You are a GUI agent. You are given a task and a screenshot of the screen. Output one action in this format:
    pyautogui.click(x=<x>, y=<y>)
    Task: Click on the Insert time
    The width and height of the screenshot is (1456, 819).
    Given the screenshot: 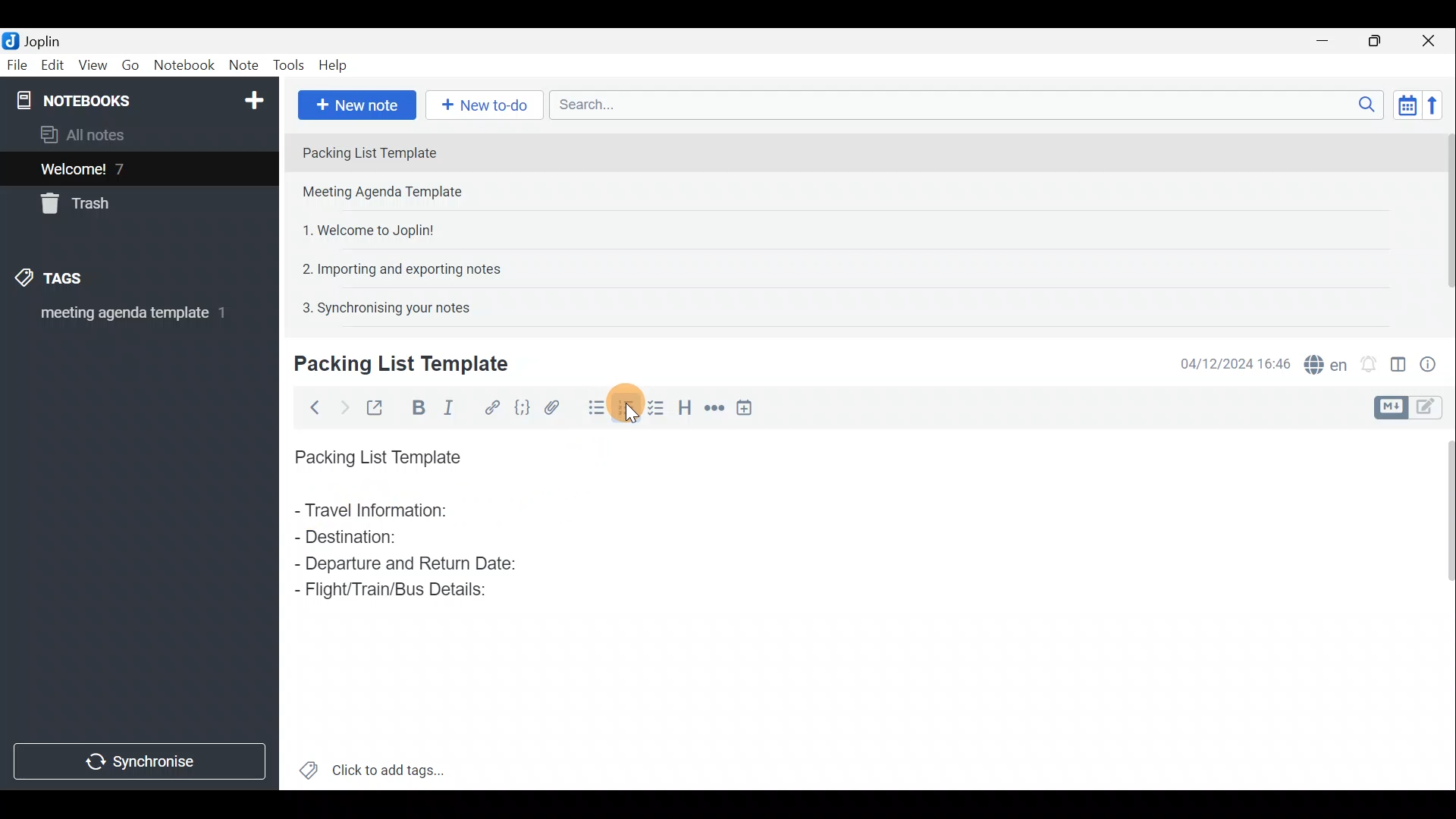 What is the action you would take?
    pyautogui.click(x=749, y=407)
    